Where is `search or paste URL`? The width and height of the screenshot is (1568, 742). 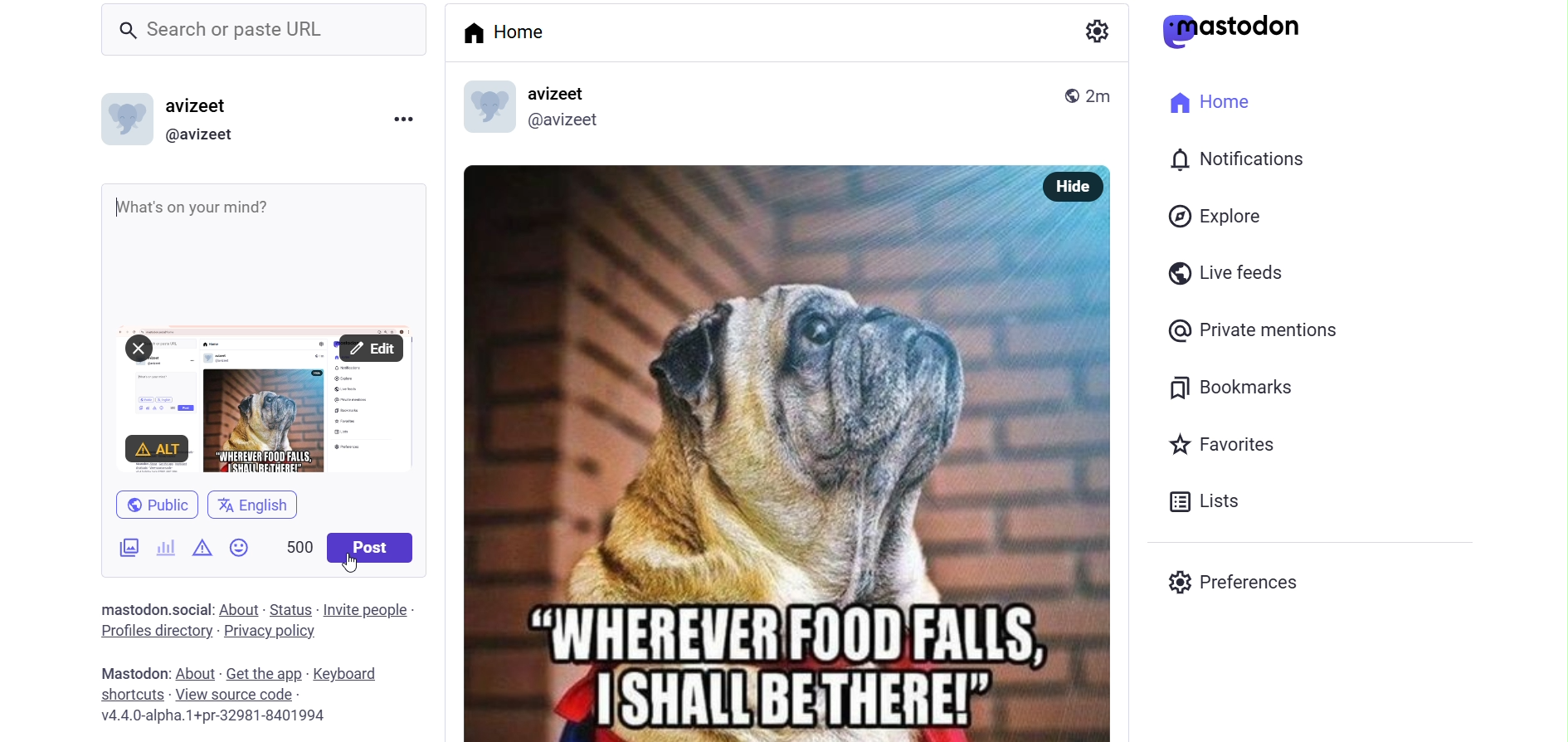
search or paste URL is located at coordinates (264, 28).